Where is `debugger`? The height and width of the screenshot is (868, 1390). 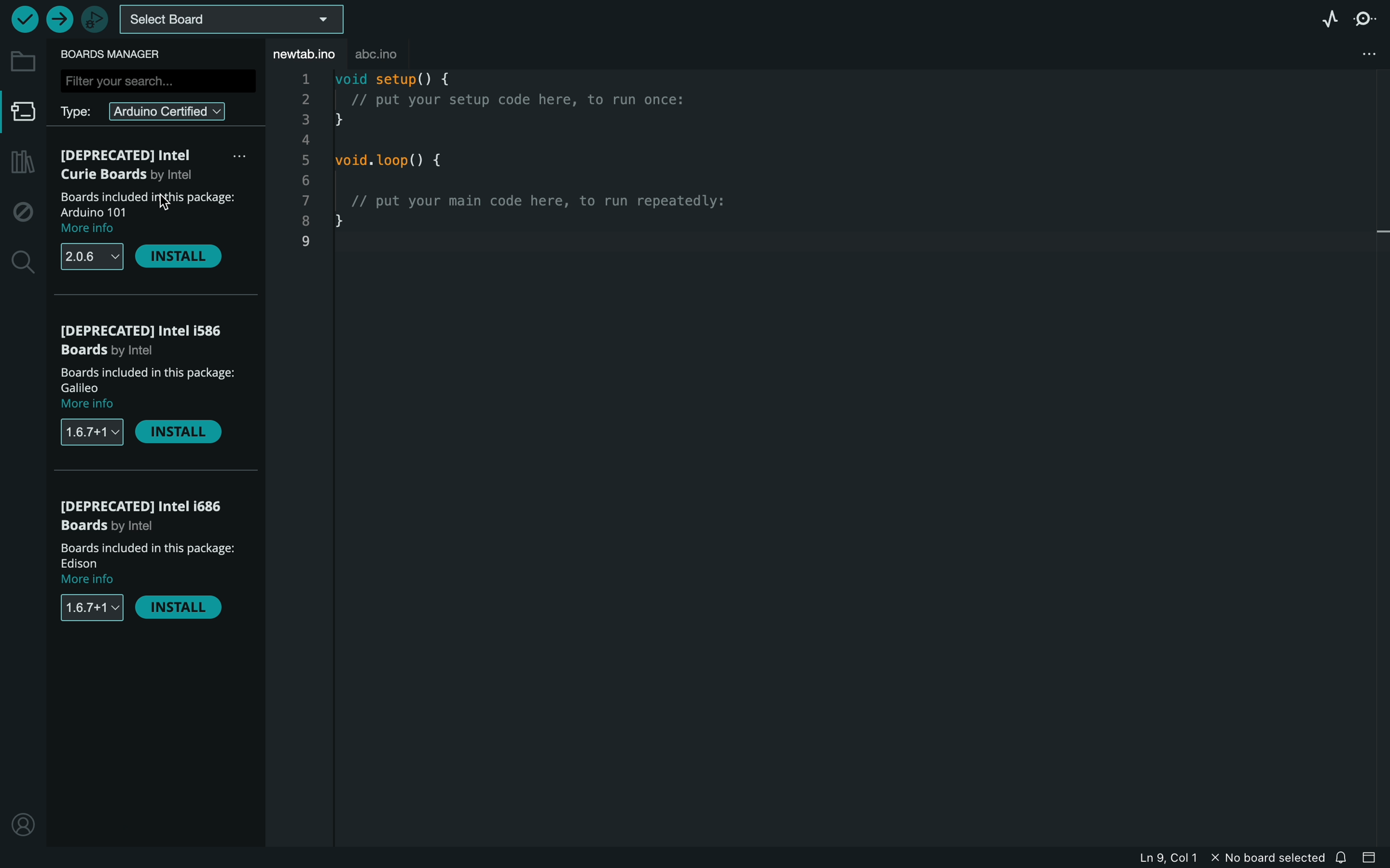
debugger is located at coordinates (91, 18).